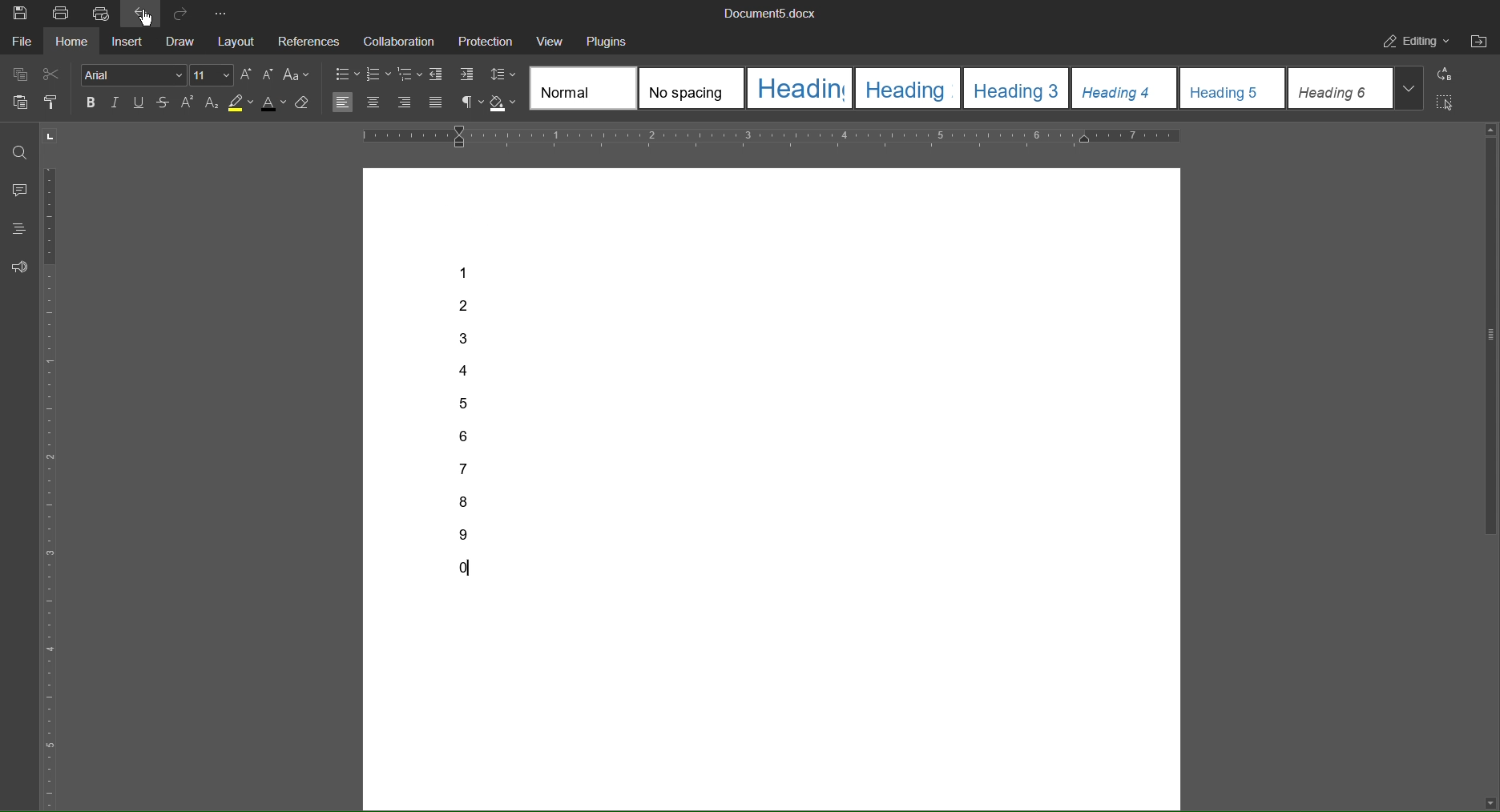 This screenshot has width=1500, height=812. I want to click on Plugins, so click(608, 41).